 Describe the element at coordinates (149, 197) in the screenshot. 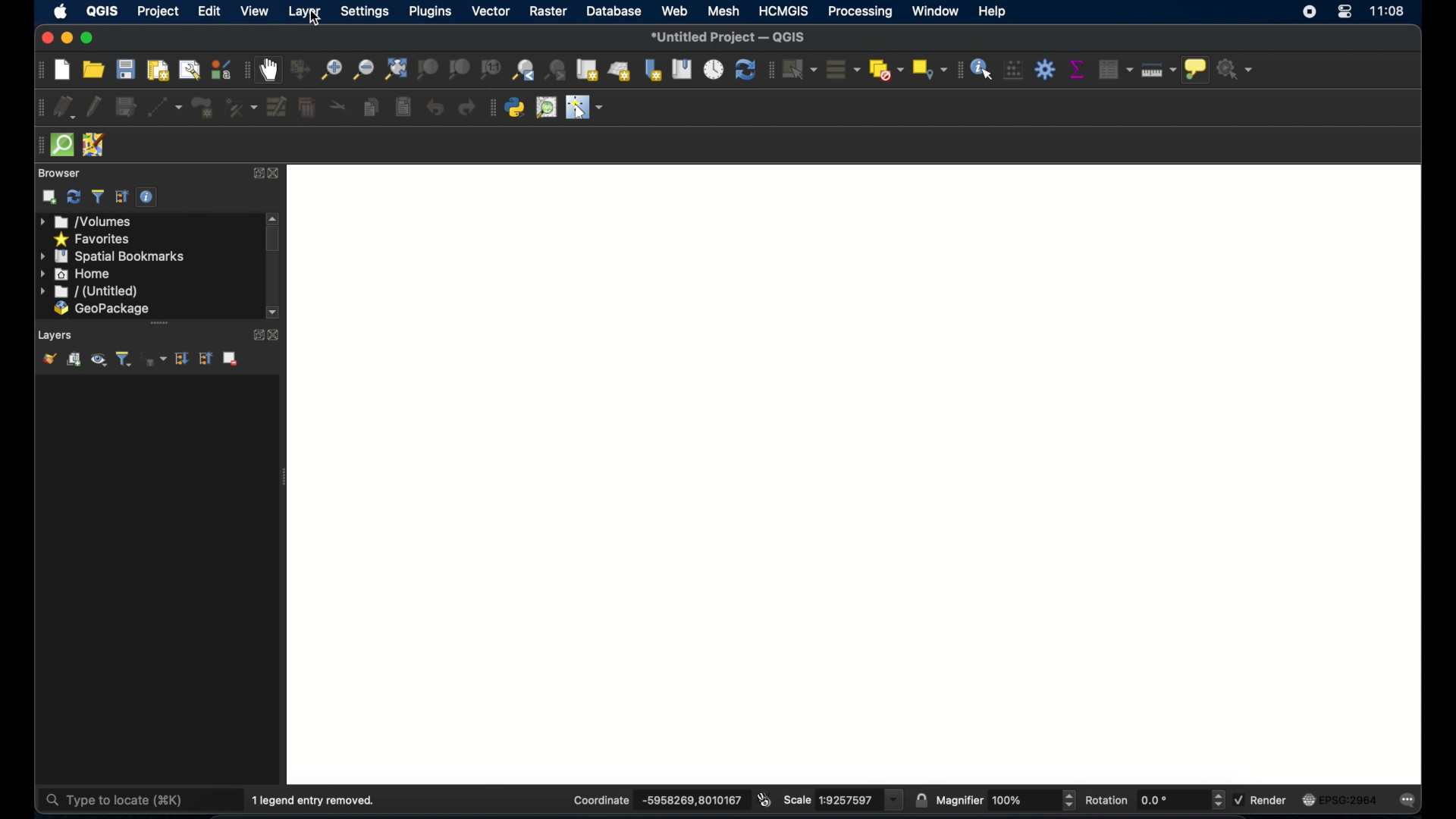

I see `enable/disable properties widget` at that location.